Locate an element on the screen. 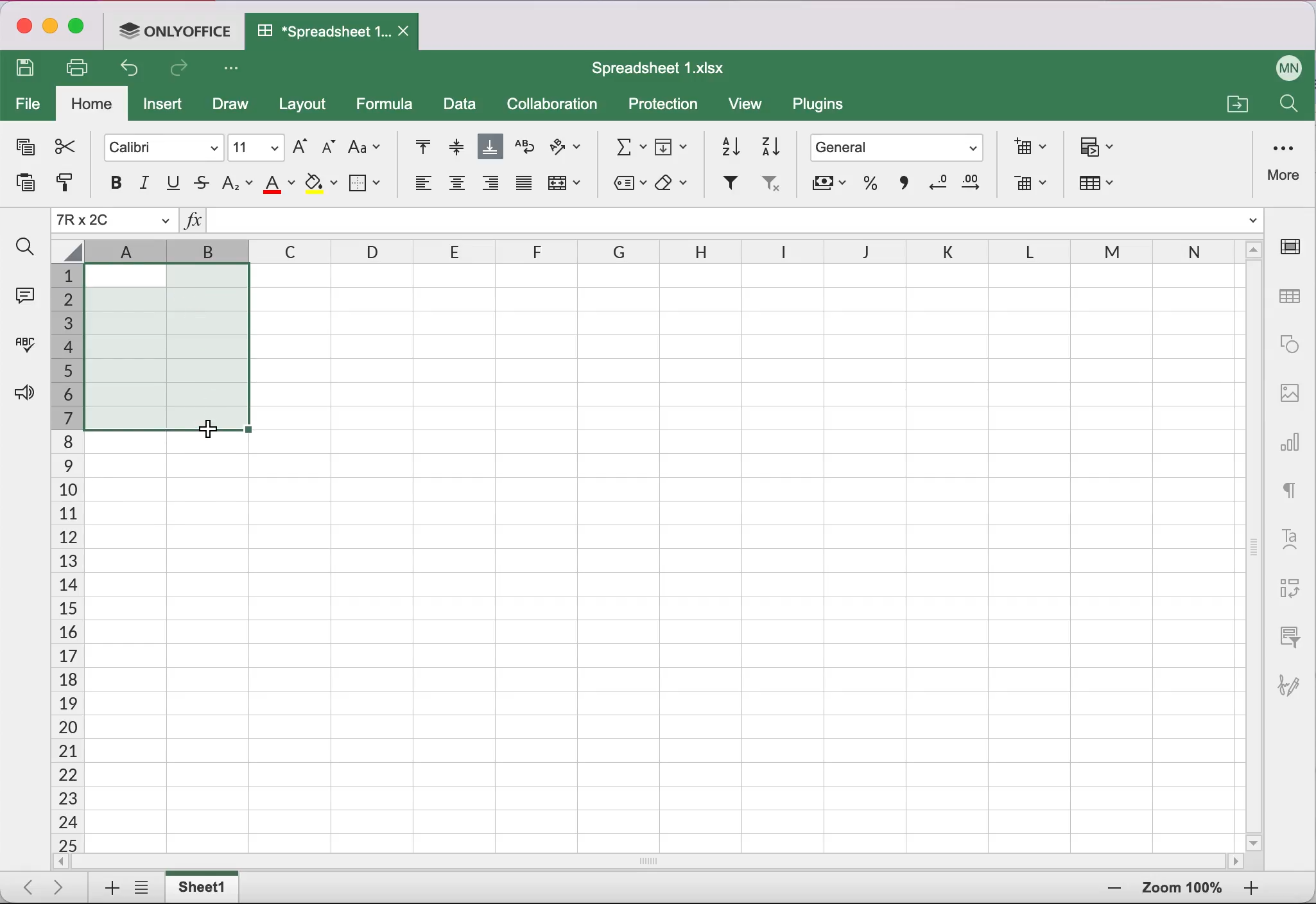 The image size is (1316, 904). add comma is located at coordinates (901, 187).